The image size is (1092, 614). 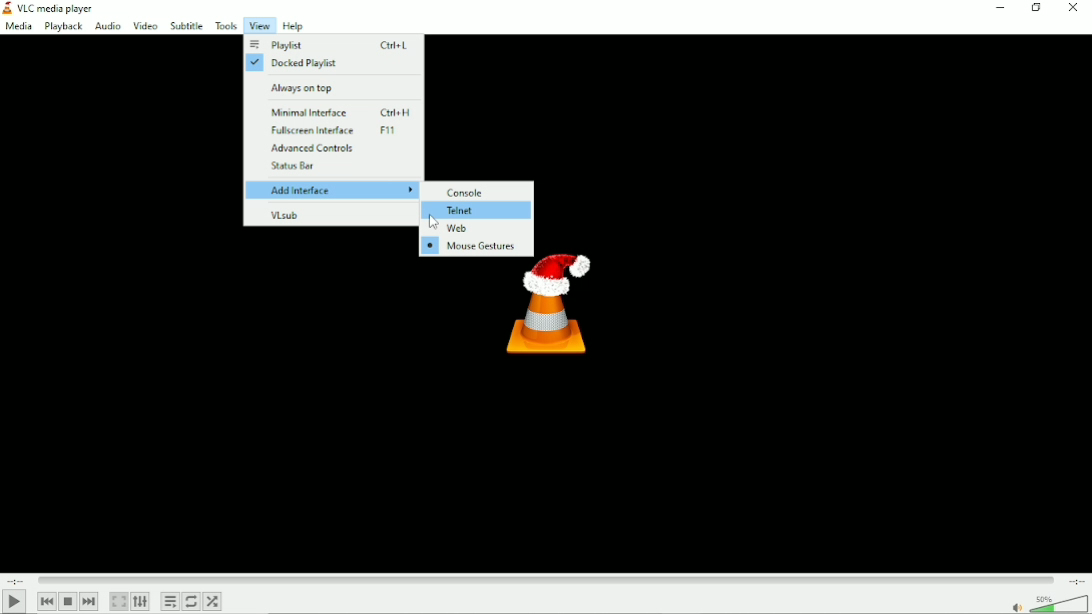 What do you see at coordinates (13, 580) in the screenshot?
I see `Elapsed time` at bounding box center [13, 580].